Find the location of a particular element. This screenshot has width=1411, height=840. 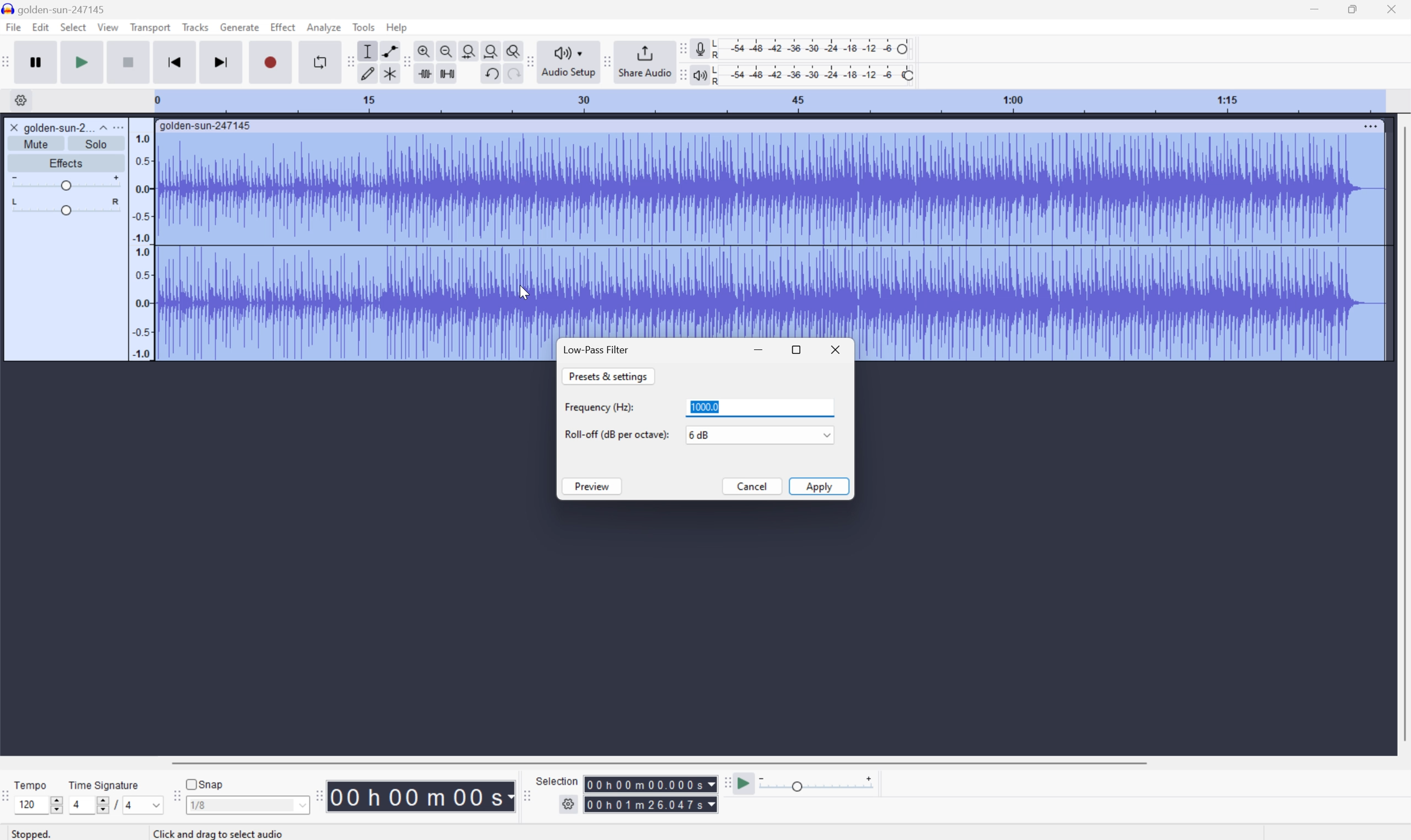

Audacity time signature toolbar is located at coordinates (9, 802).